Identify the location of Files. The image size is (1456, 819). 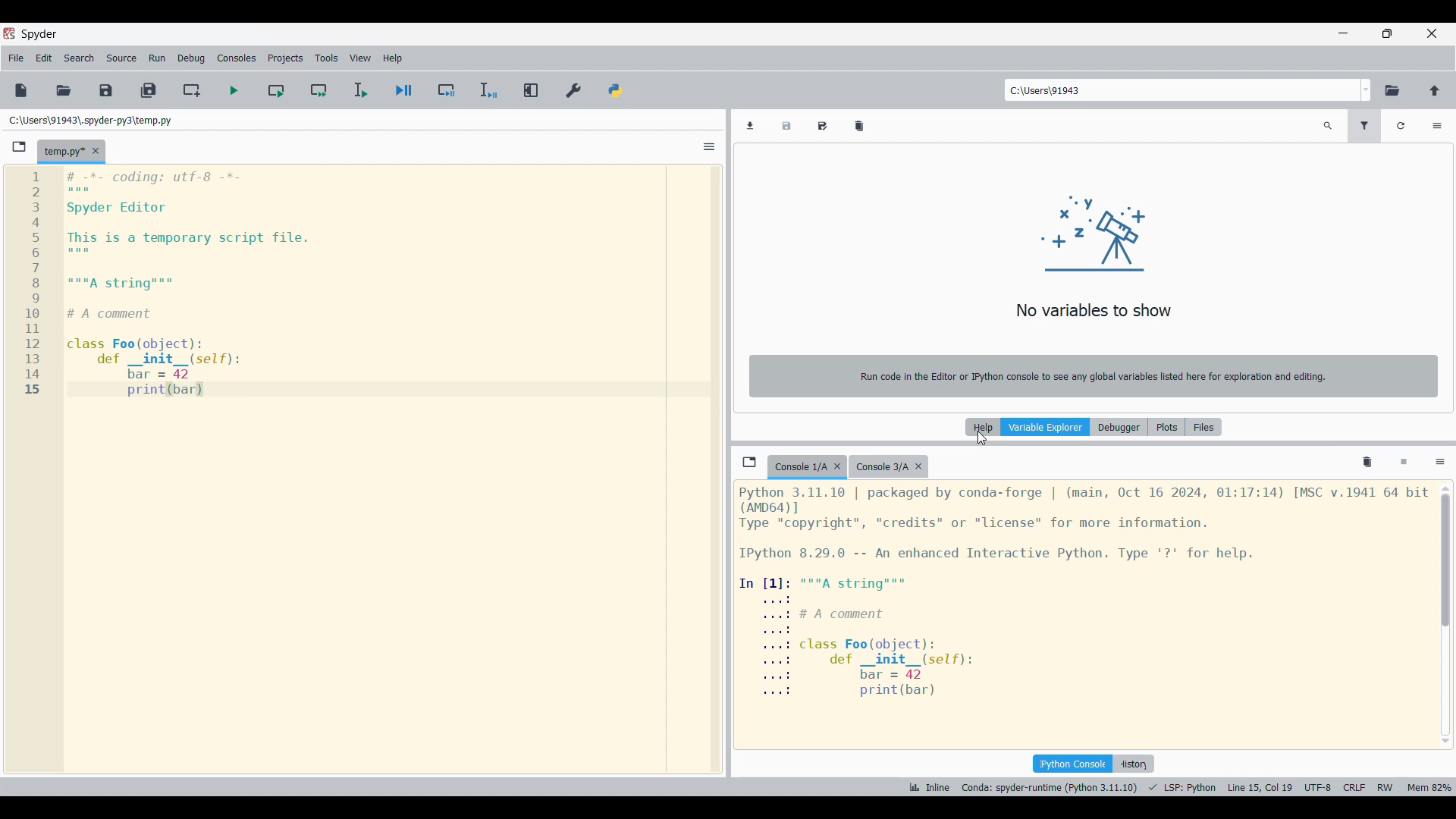
(1203, 427).